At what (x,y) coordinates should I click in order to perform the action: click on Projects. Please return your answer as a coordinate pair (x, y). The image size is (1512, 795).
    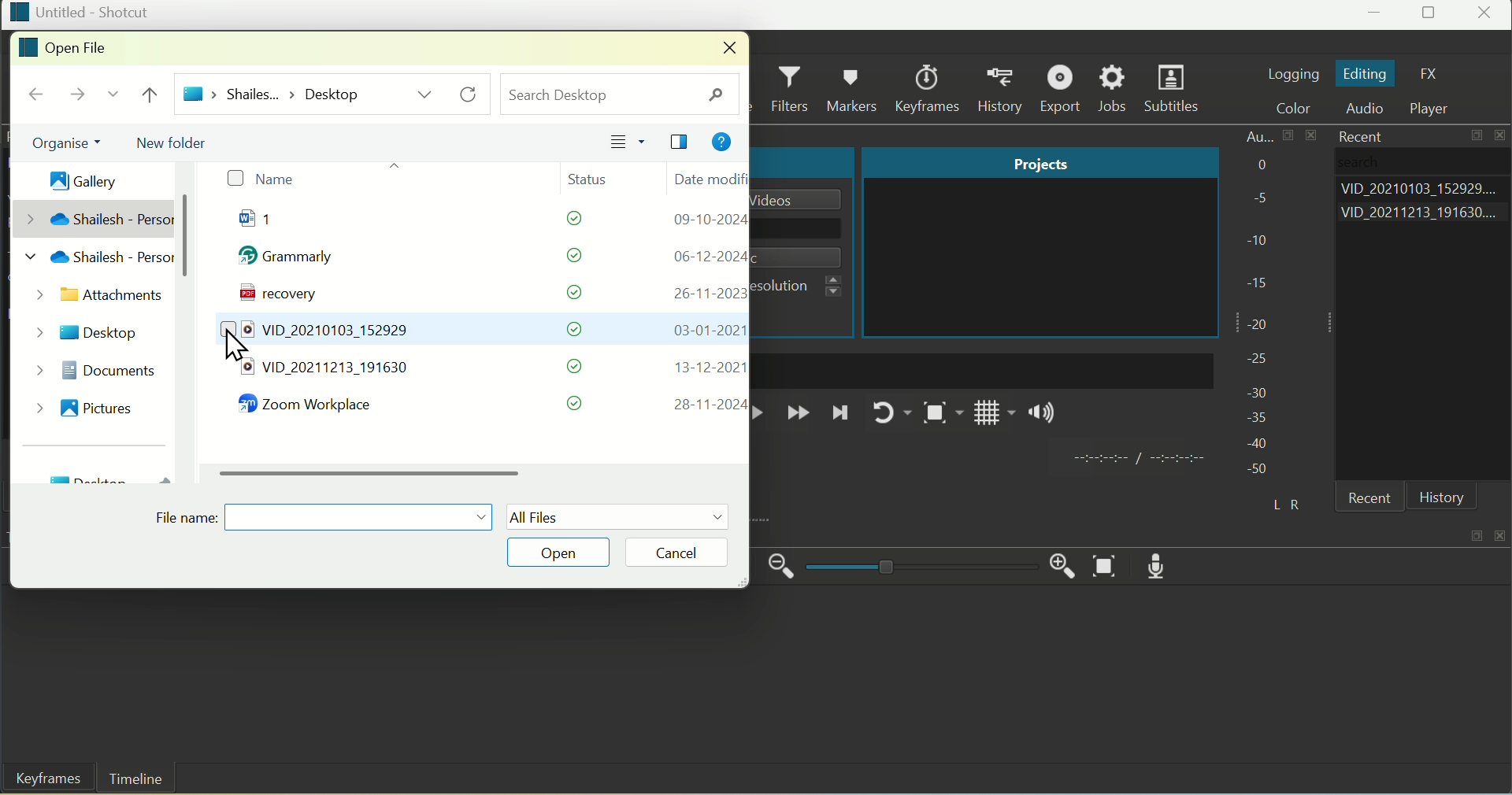
    Looking at the image, I should click on (1039, 163).